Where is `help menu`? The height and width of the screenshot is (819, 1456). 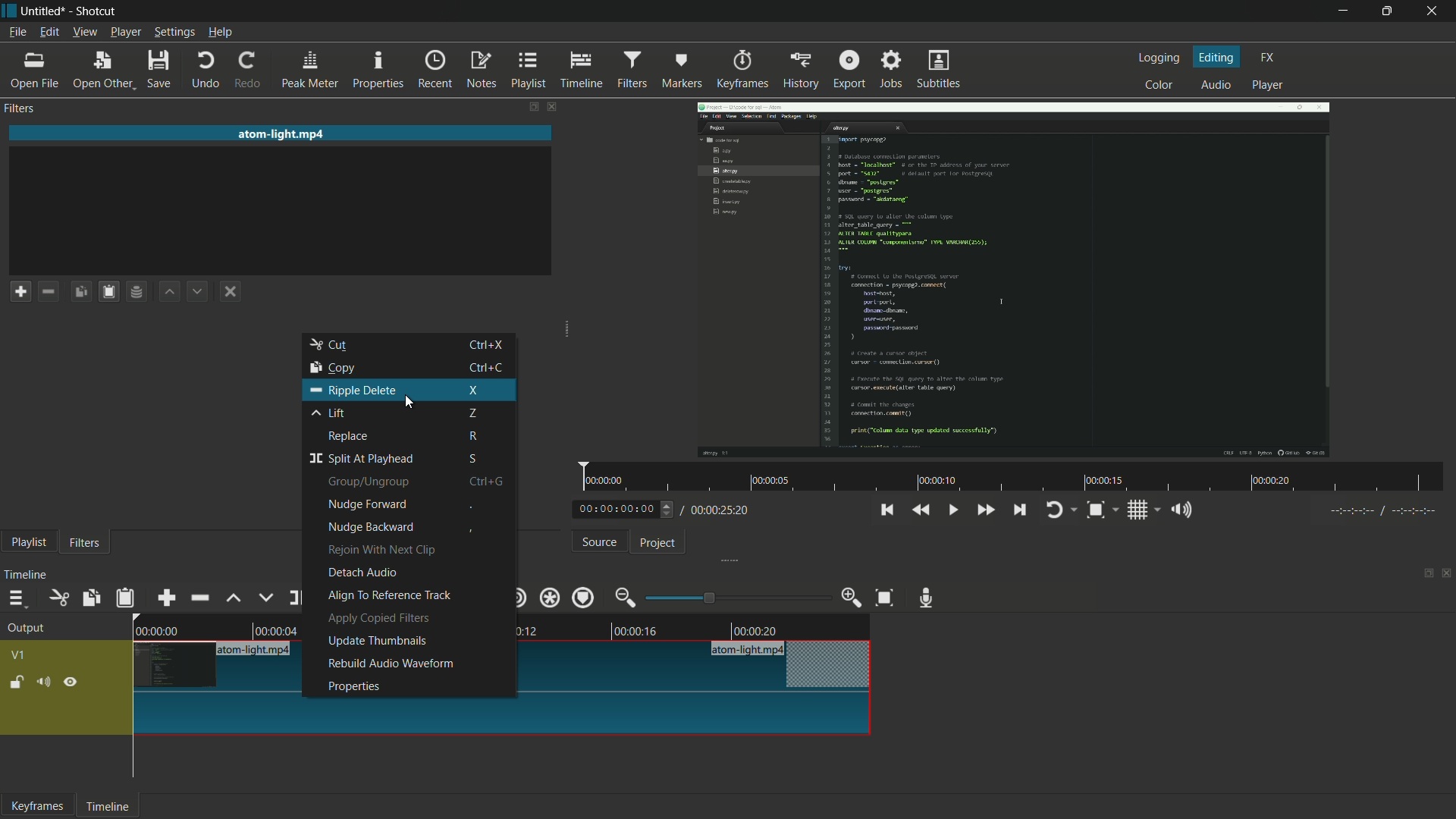
help menu is located at coordinates (220, 32).